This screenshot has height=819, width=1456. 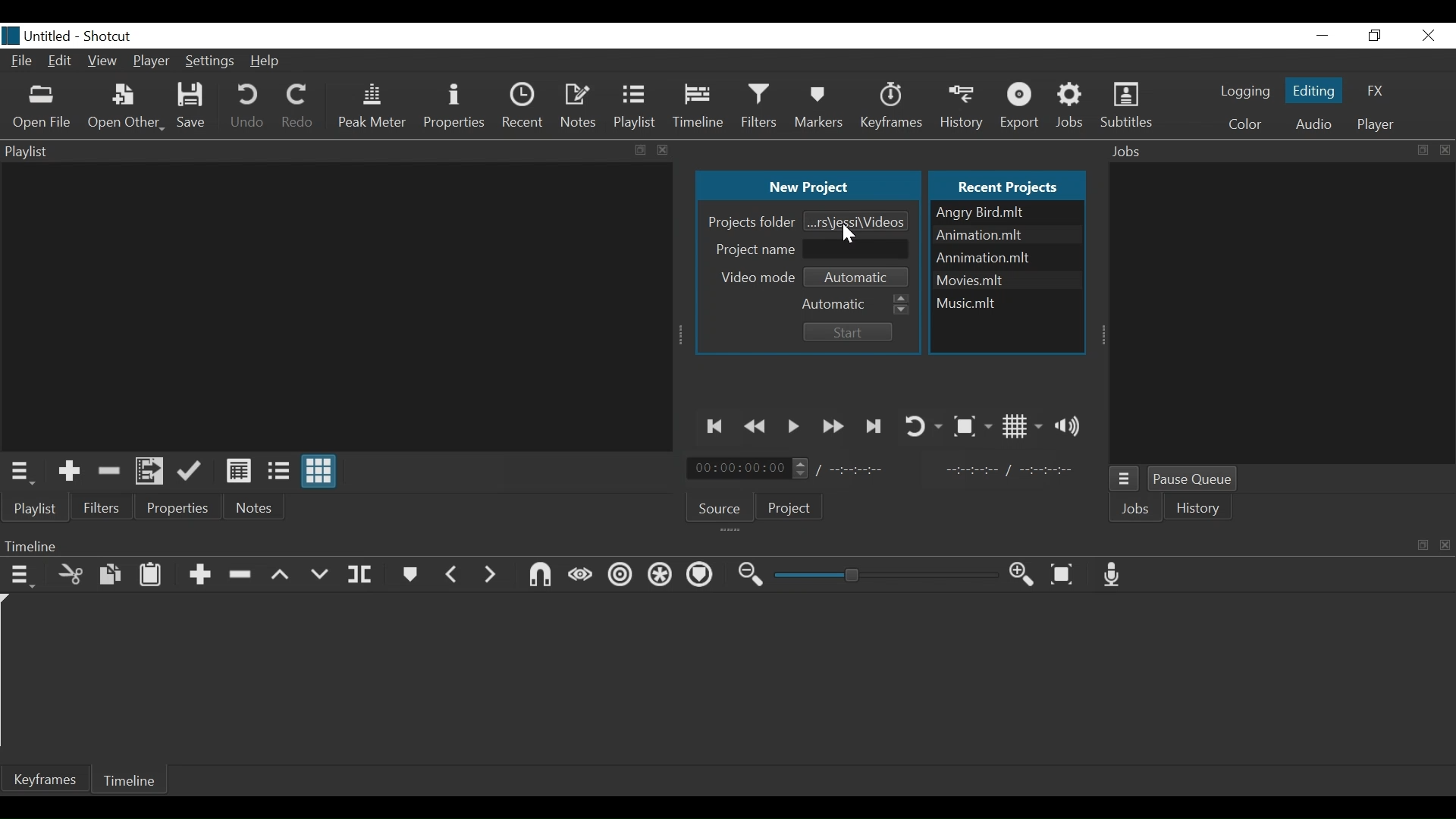 What do you see at coordinates (1426, 35) in the screenshot?
I see `Close` at bounding box center [1426, 35].